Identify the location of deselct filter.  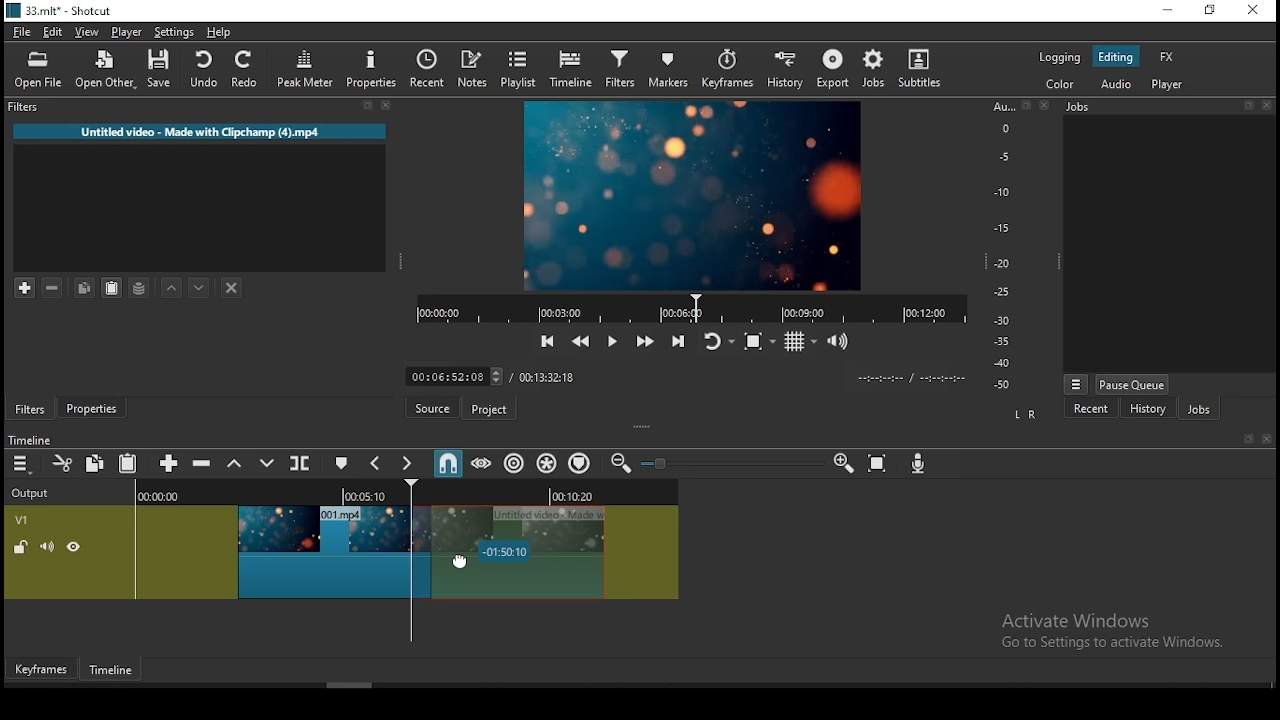
(231, 287).